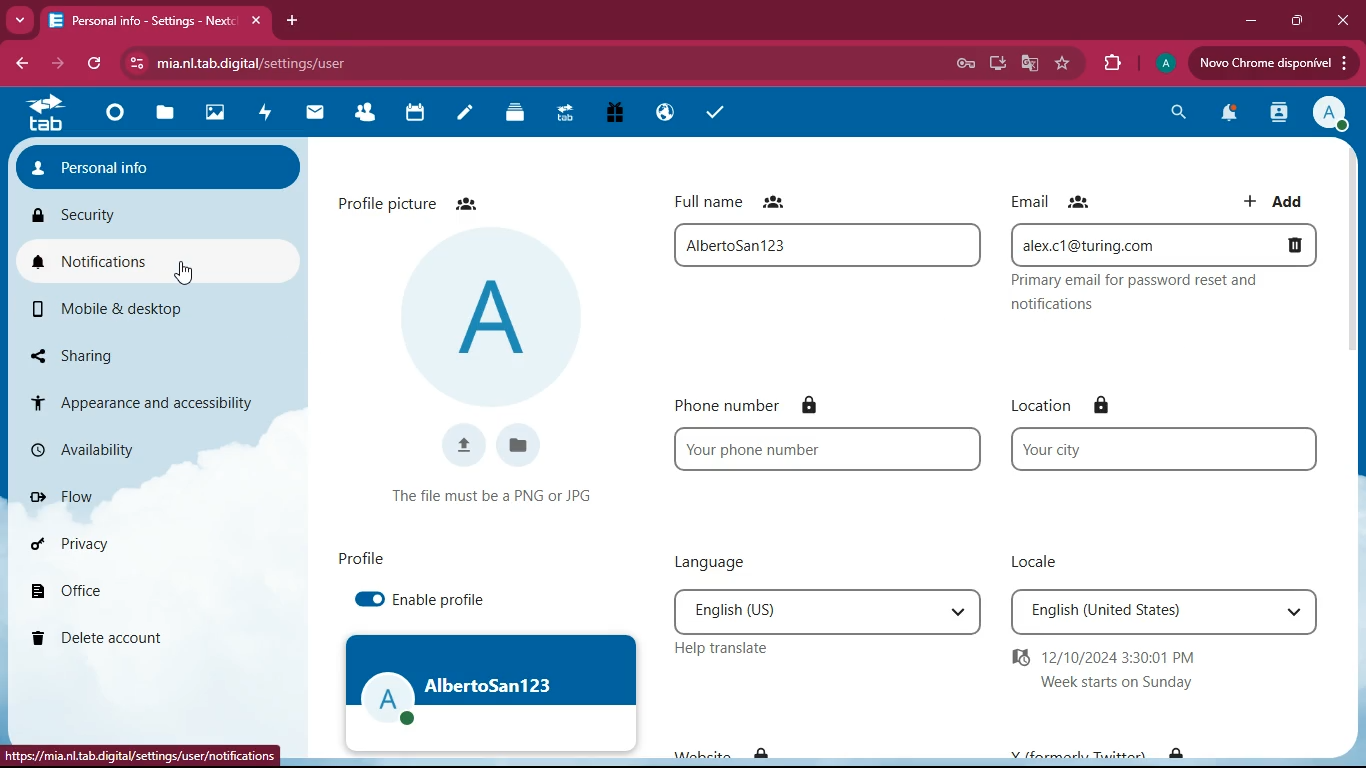 The height and width of the screenshot is (768, 1366). Describe the element at coordinates (826, 247) in the screenshot. I see `full name` at that location.